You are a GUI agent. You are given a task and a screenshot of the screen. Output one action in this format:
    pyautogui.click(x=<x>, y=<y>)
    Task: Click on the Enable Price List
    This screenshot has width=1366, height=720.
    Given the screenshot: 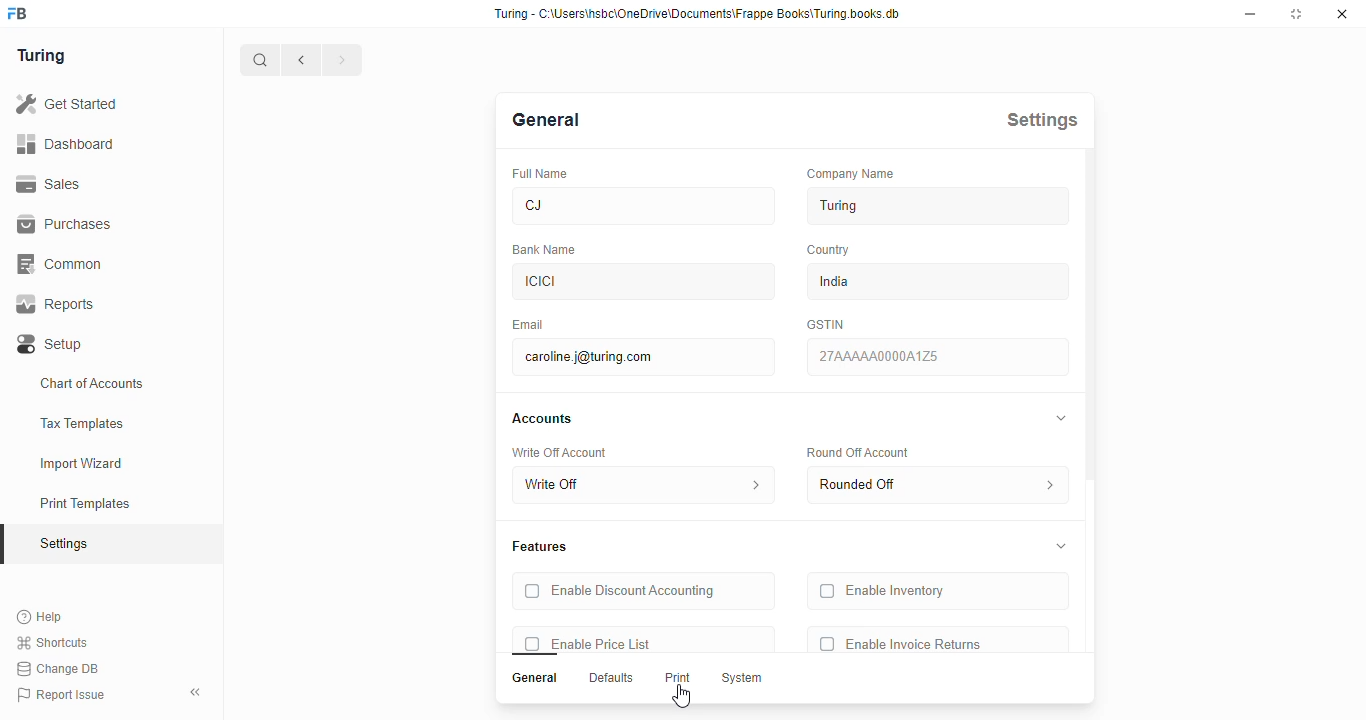 What is the action you would take?
    pyautogui.click(x=602, y=643)
    